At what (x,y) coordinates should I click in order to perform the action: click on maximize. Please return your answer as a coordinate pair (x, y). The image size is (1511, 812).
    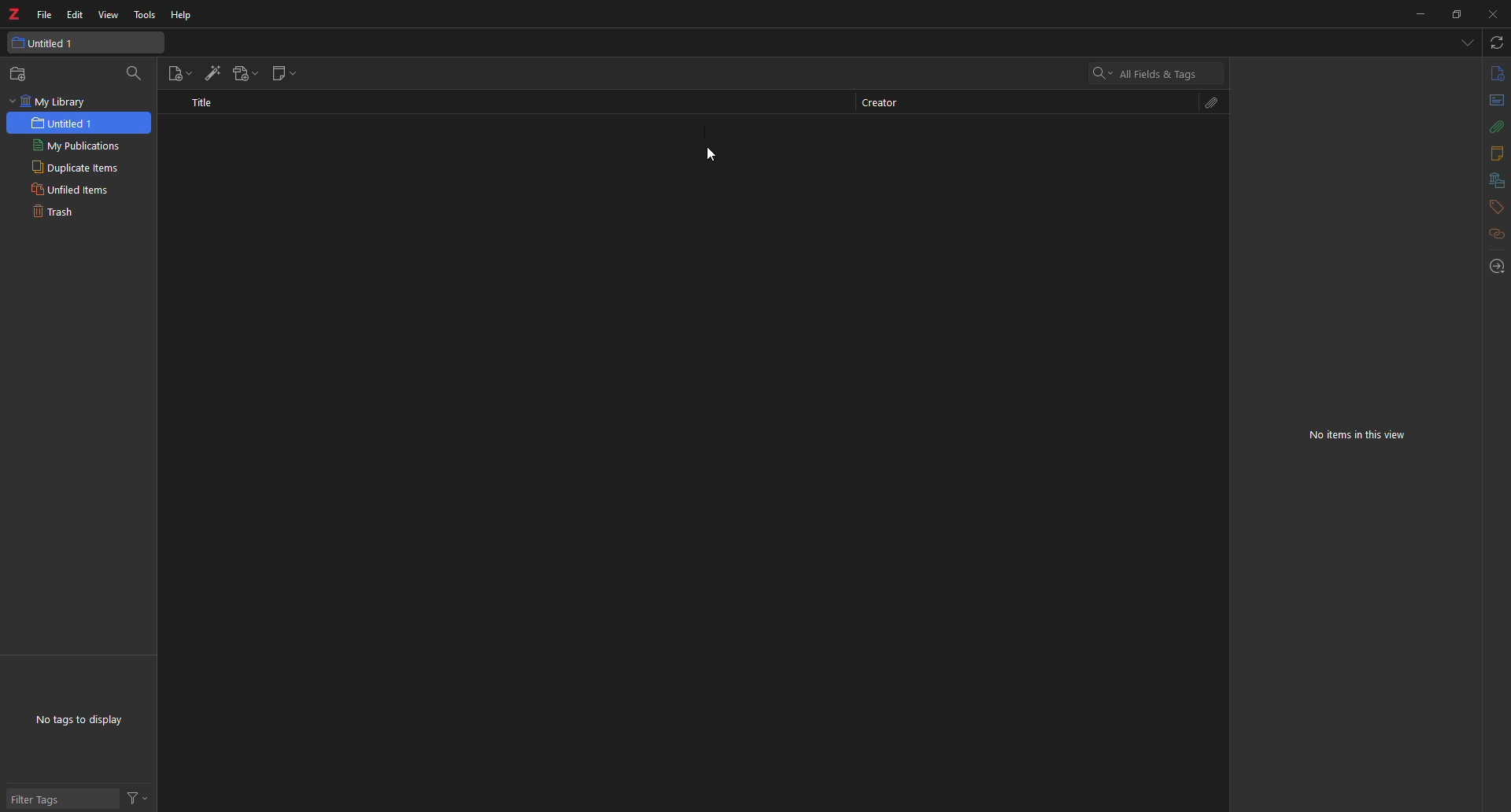
    Looking at the image, I should click on (1454, 16).